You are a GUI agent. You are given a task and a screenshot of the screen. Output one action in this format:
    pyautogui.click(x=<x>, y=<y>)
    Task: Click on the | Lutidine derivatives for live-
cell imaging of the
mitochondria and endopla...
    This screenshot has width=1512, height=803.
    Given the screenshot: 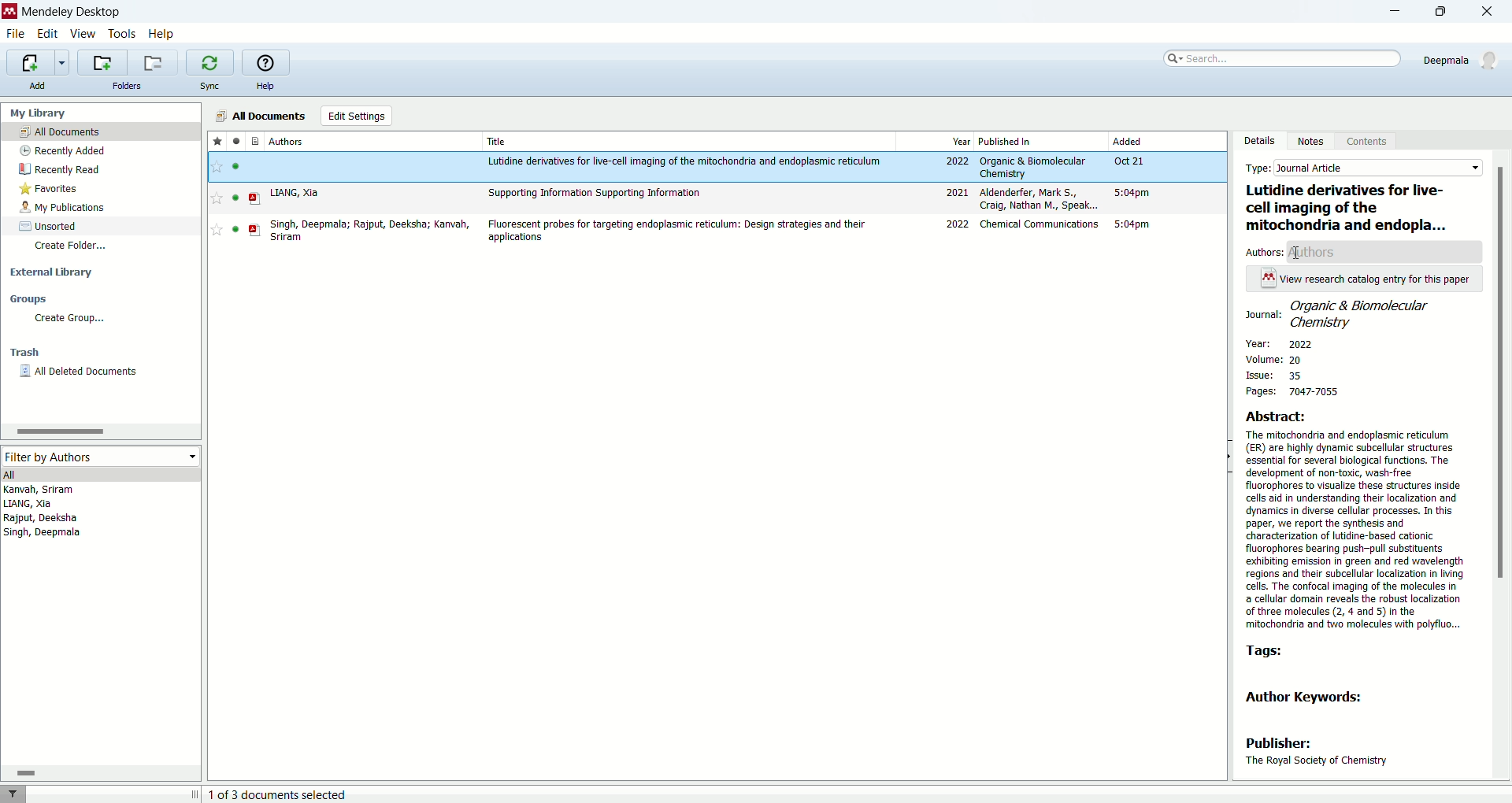 What is the action you would take?
    pyautogui.click(x=1343, y=208)
    